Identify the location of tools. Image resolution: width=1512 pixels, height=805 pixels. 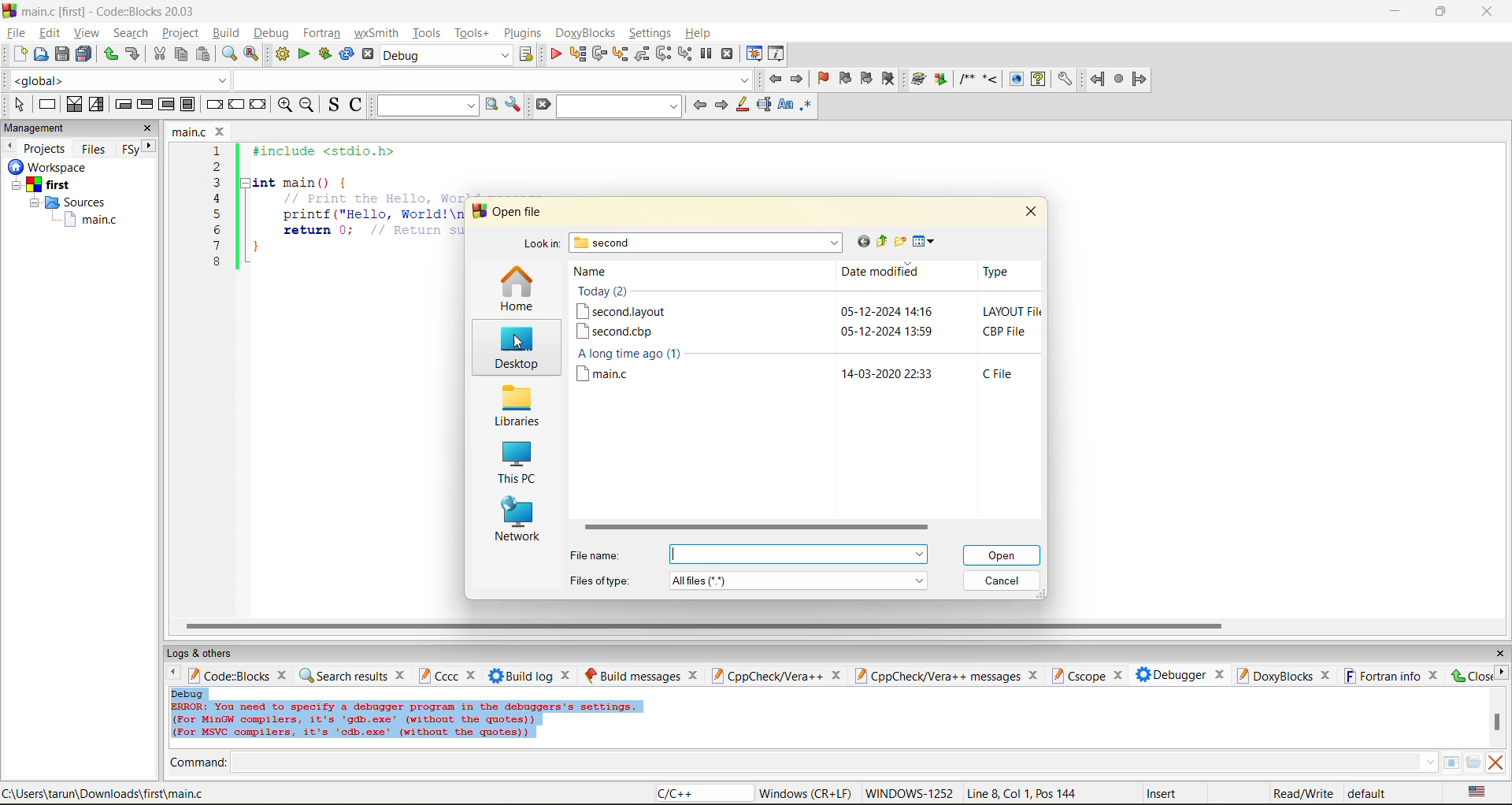
(428, 32).